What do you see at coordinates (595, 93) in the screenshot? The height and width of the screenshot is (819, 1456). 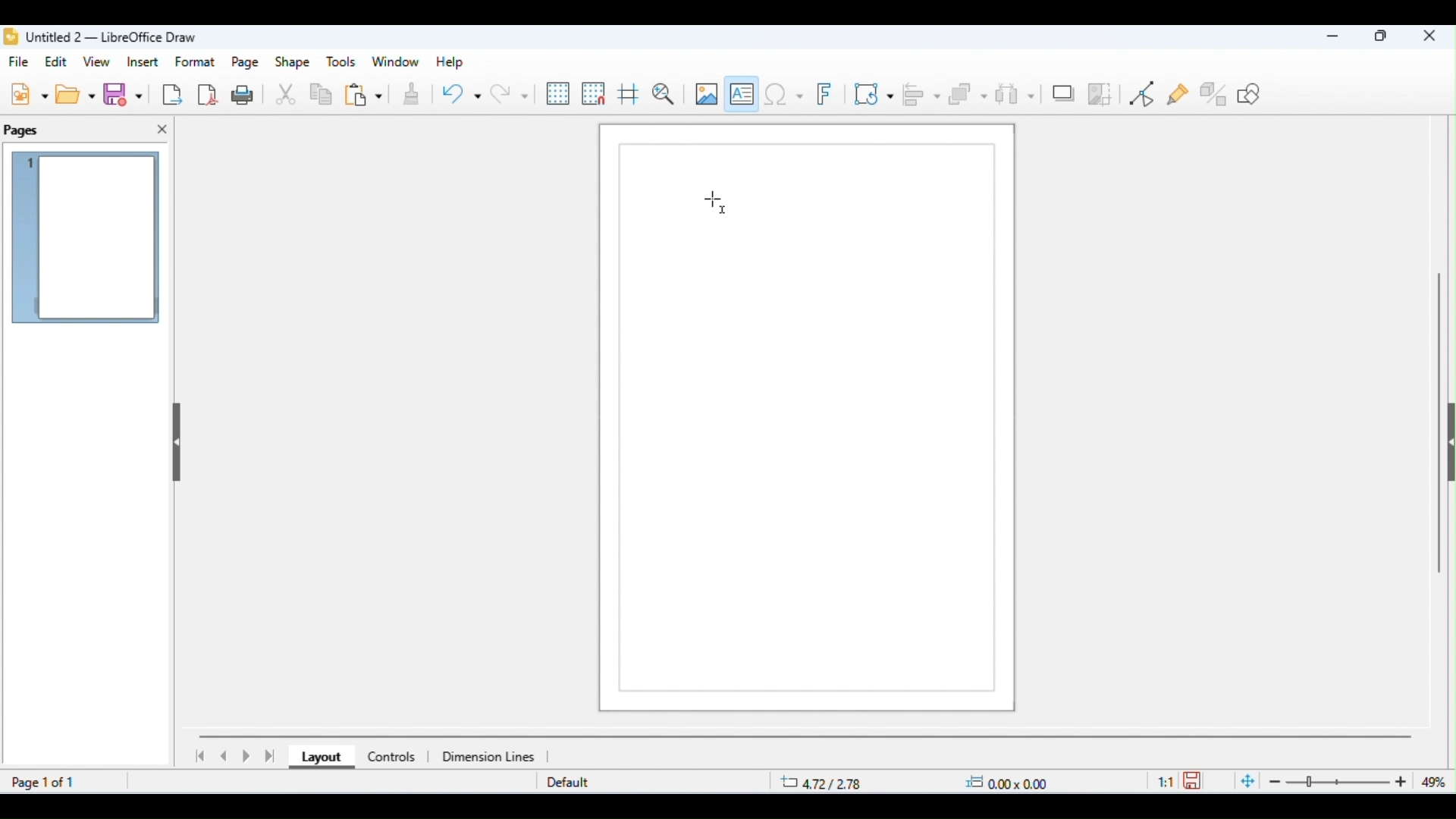 I see `snap to grid` at bounding box center [595, 93].